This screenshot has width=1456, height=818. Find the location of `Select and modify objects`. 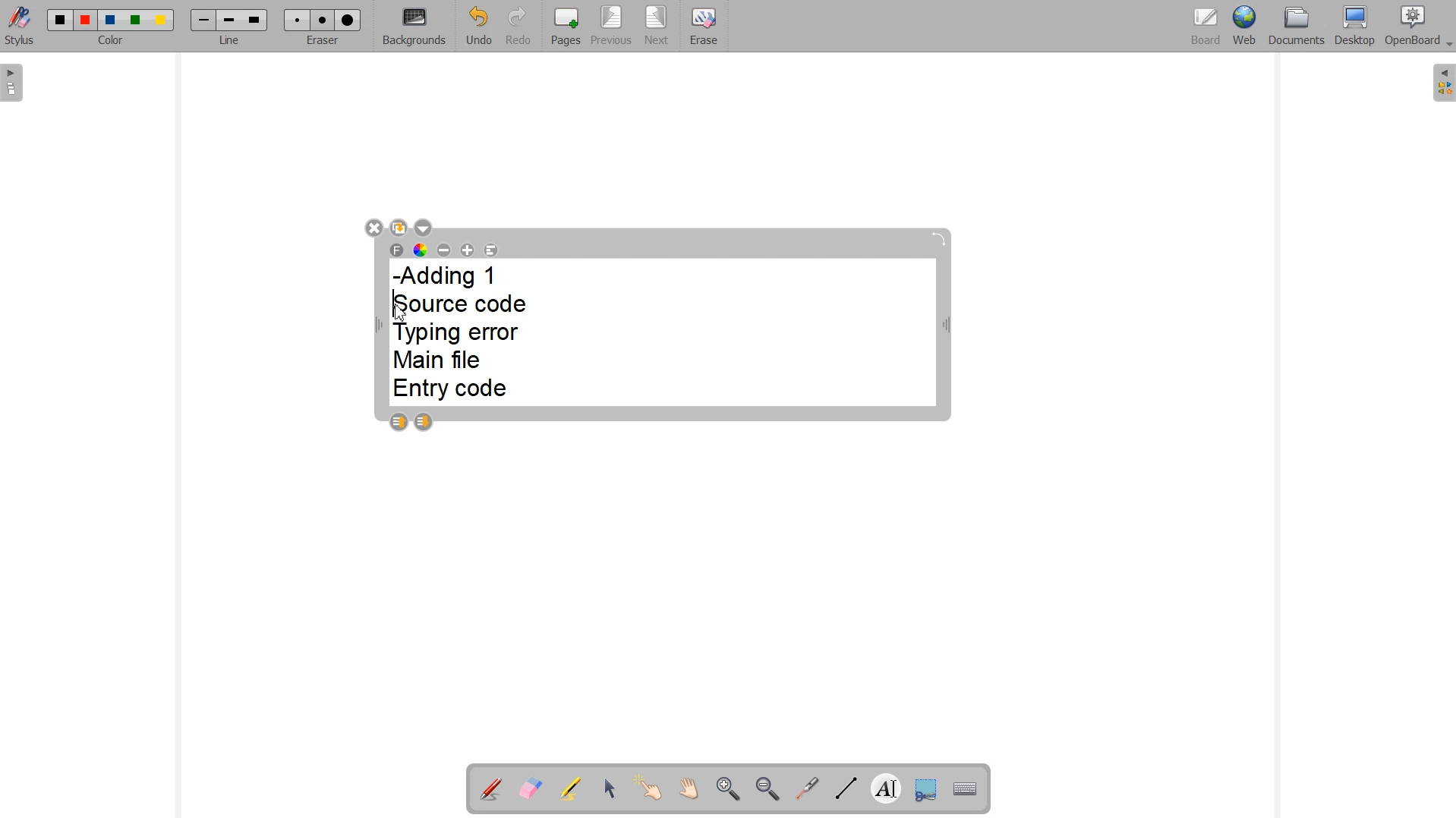

Select and modify objects is located at coordinates (610, 788).